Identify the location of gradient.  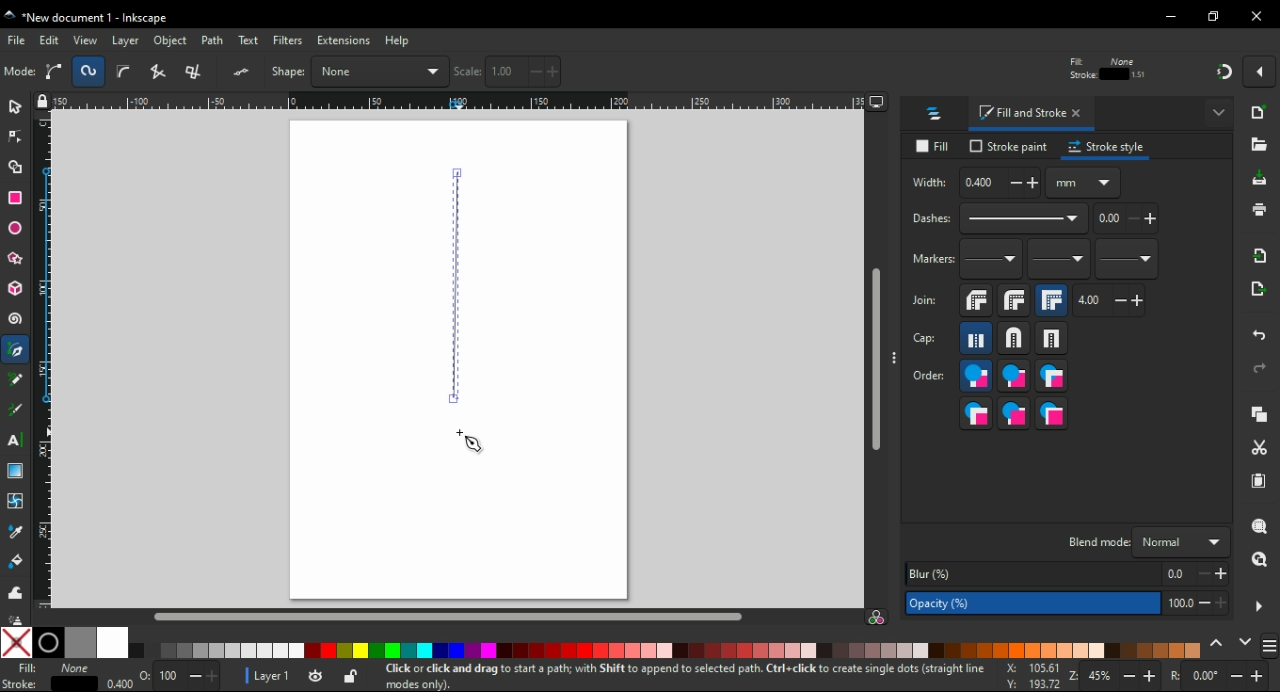
(15, 471).